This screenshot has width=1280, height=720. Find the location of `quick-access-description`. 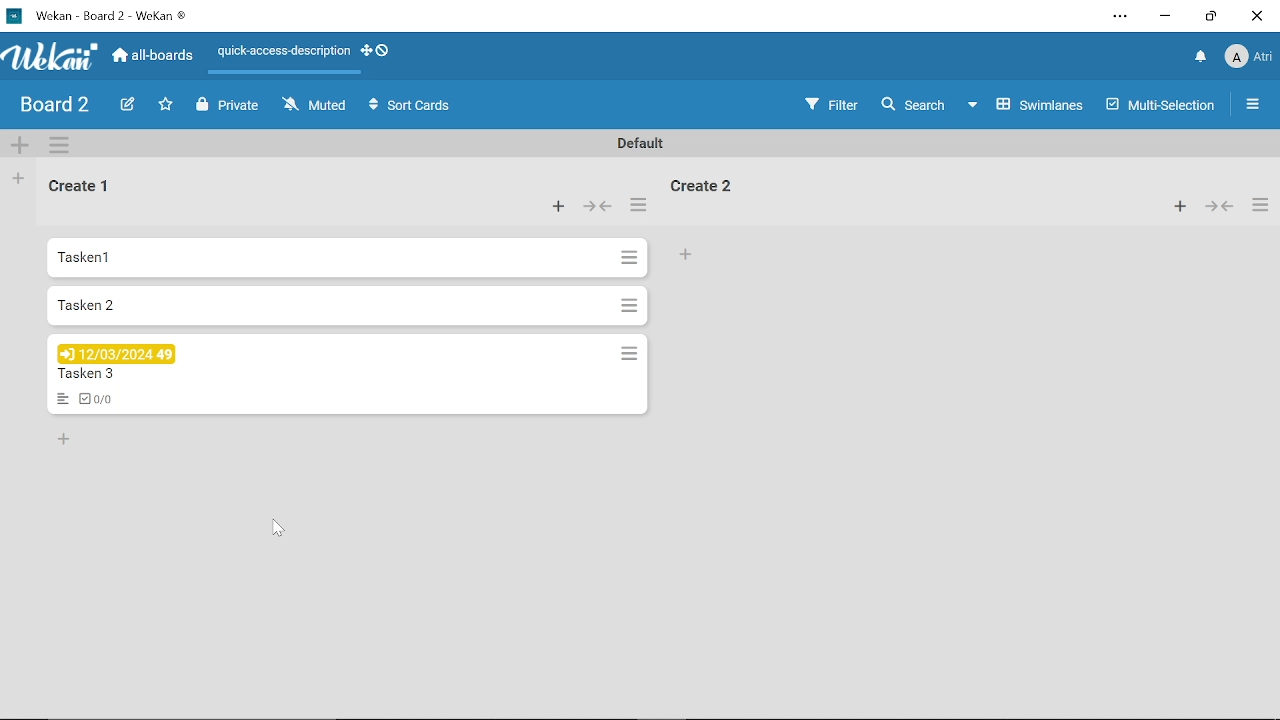

quick-access-description is located at coordinates (305, 52).